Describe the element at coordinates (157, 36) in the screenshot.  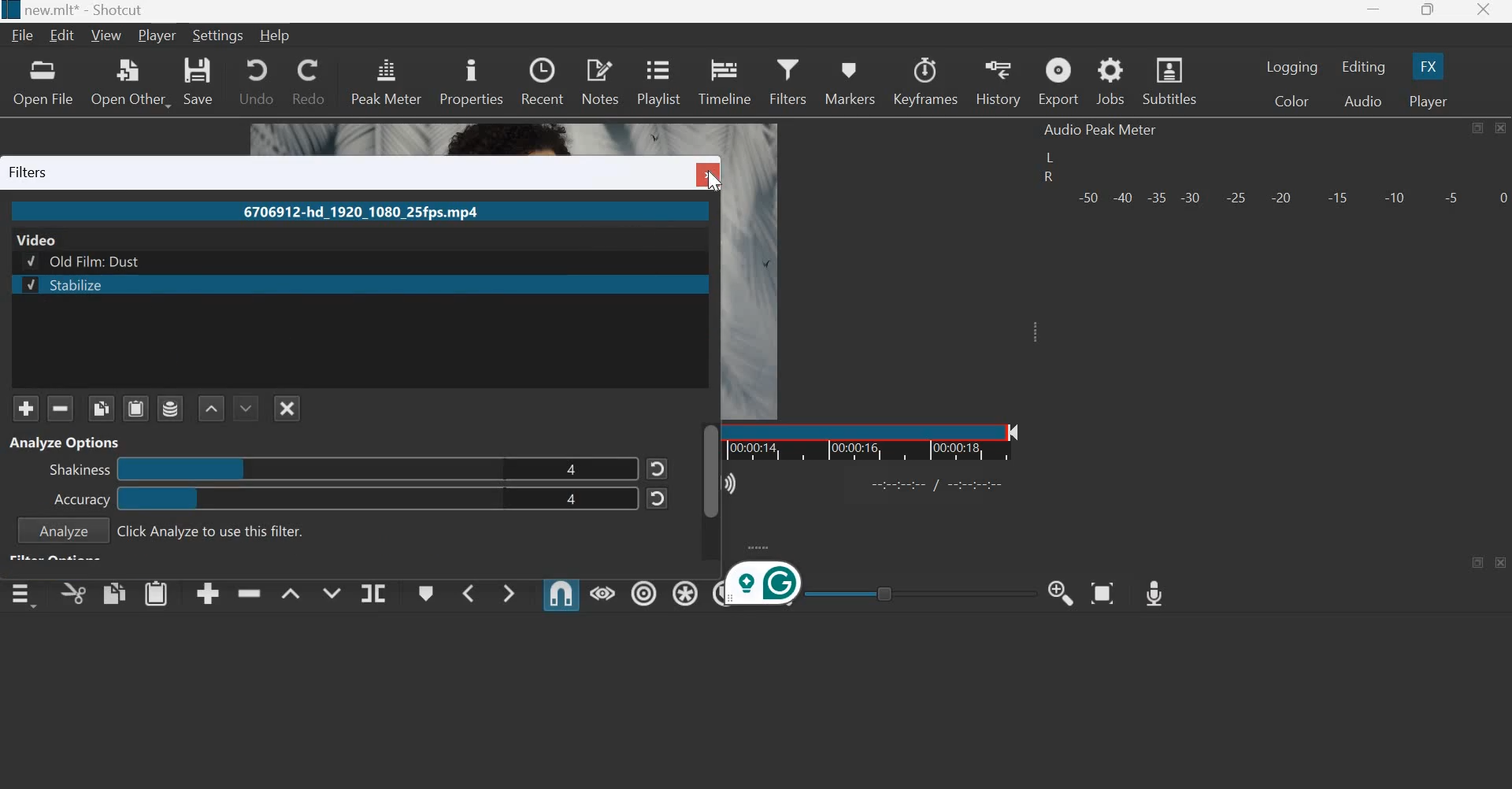
I see `Player` at that location.